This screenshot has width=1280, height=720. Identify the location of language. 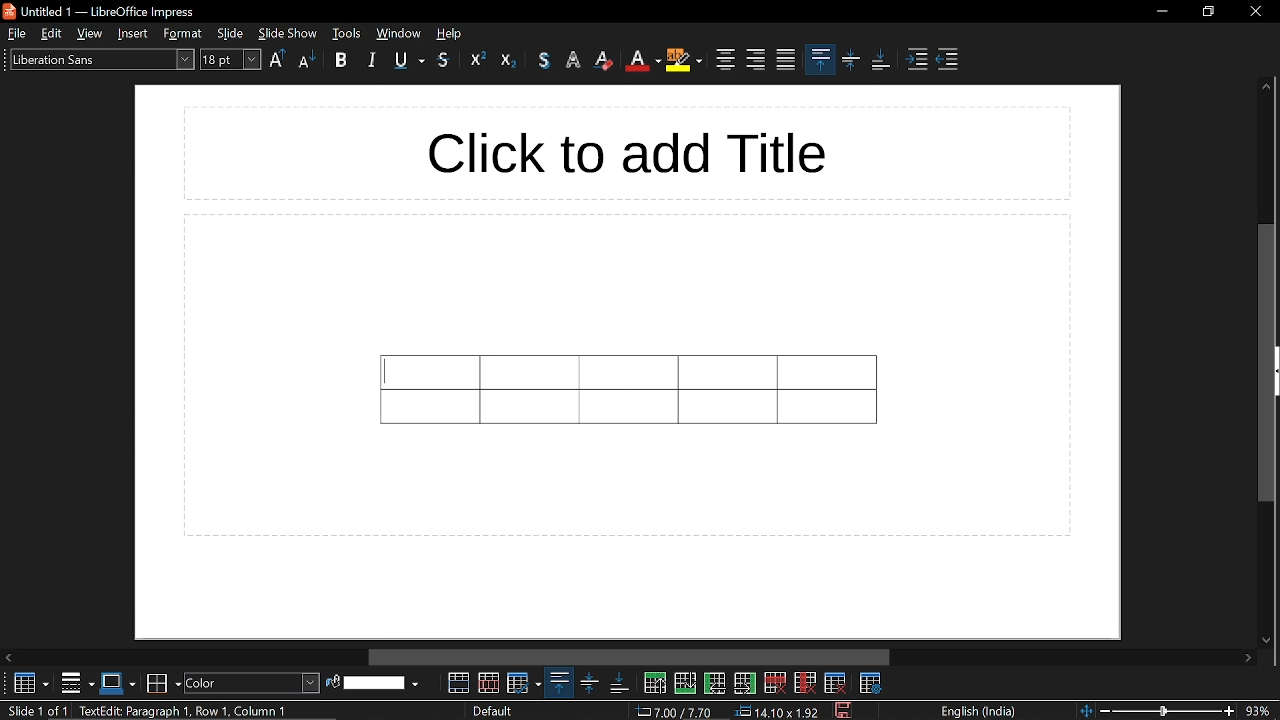
(974, 710).